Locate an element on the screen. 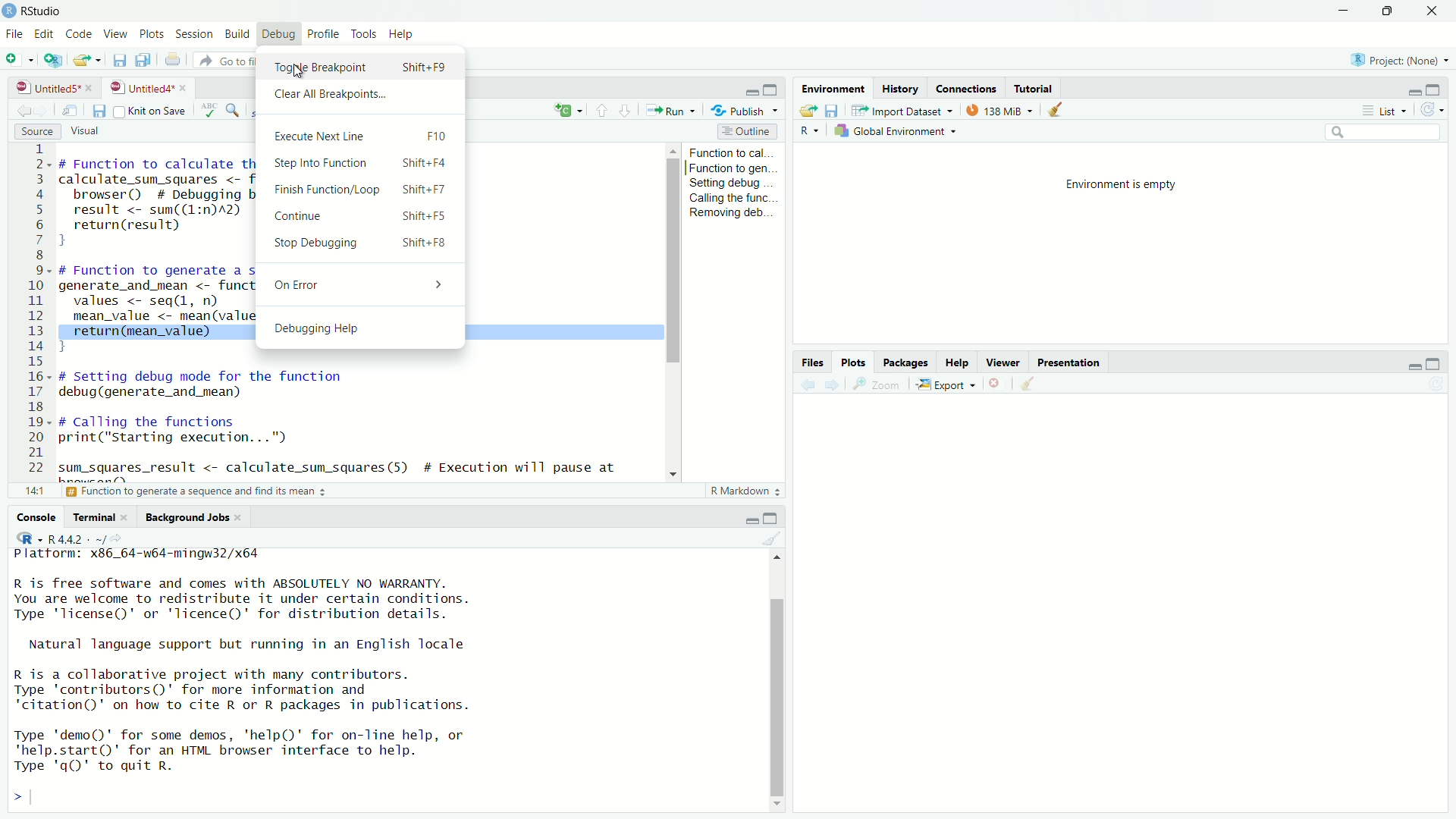  clear console is located at coordinates (773, 537).